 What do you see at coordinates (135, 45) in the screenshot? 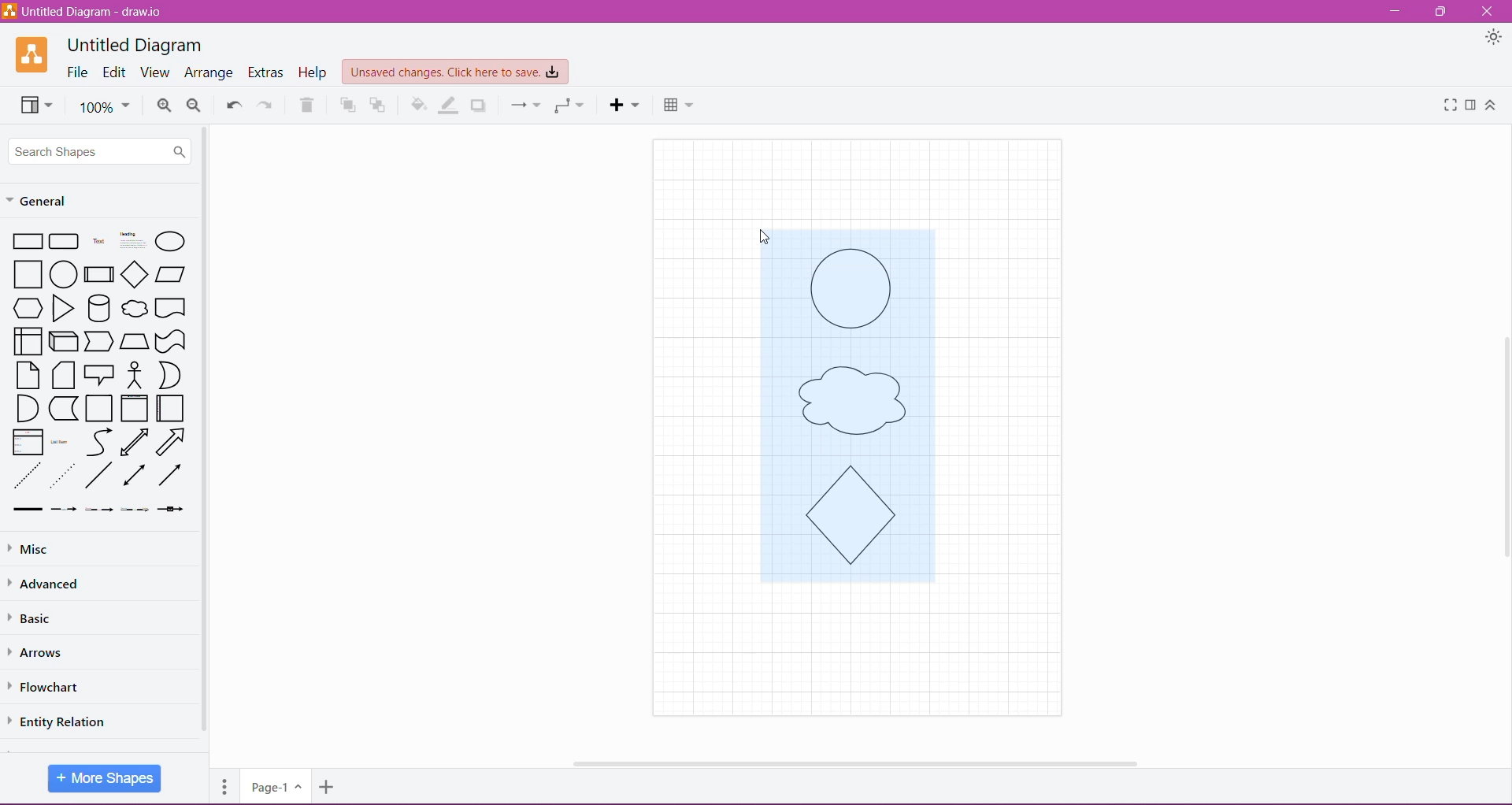
I see `Untitled Diagram` at bounding box center [135, 45].